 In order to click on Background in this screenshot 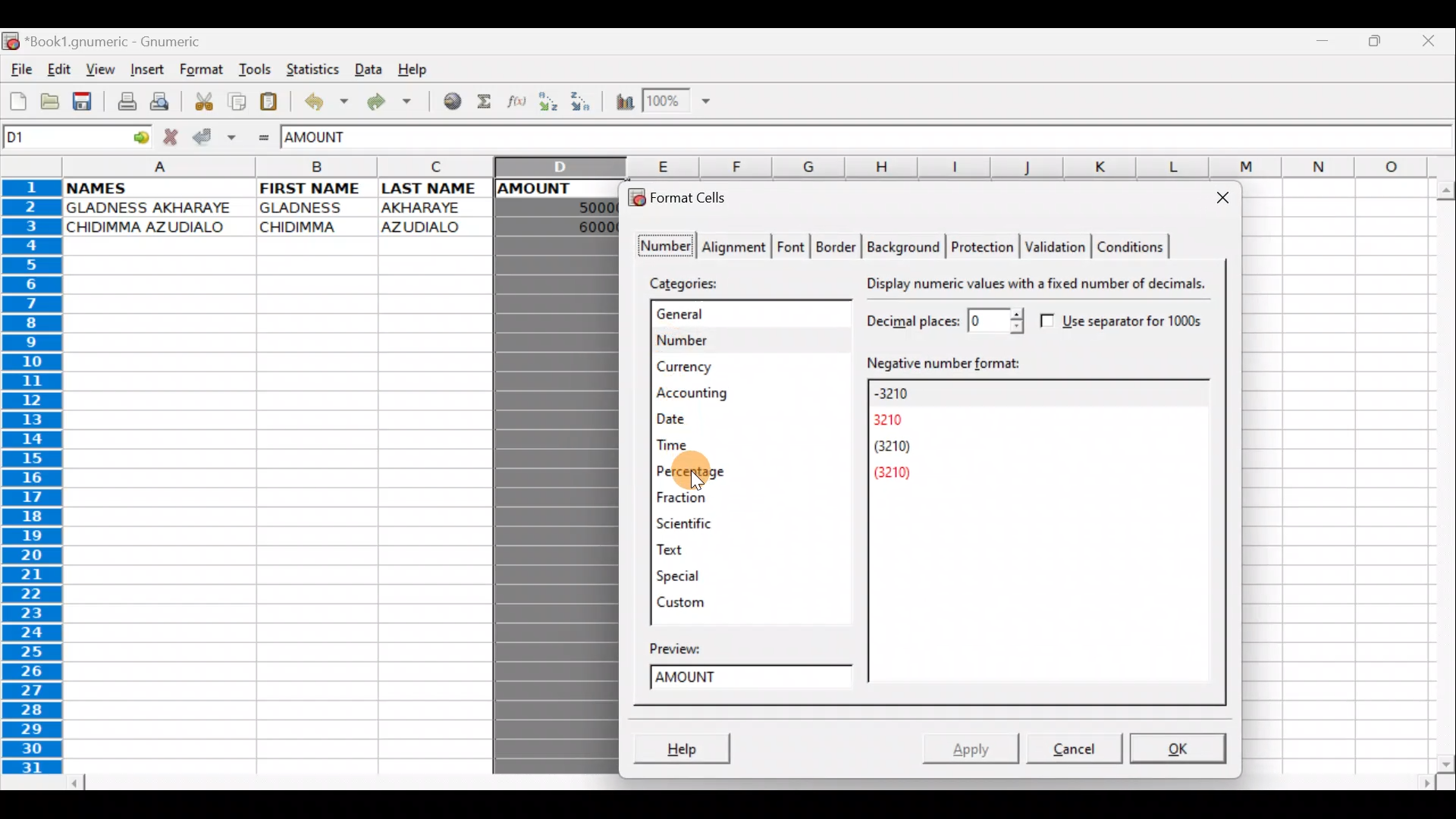, I will do `click(905, 246)`.